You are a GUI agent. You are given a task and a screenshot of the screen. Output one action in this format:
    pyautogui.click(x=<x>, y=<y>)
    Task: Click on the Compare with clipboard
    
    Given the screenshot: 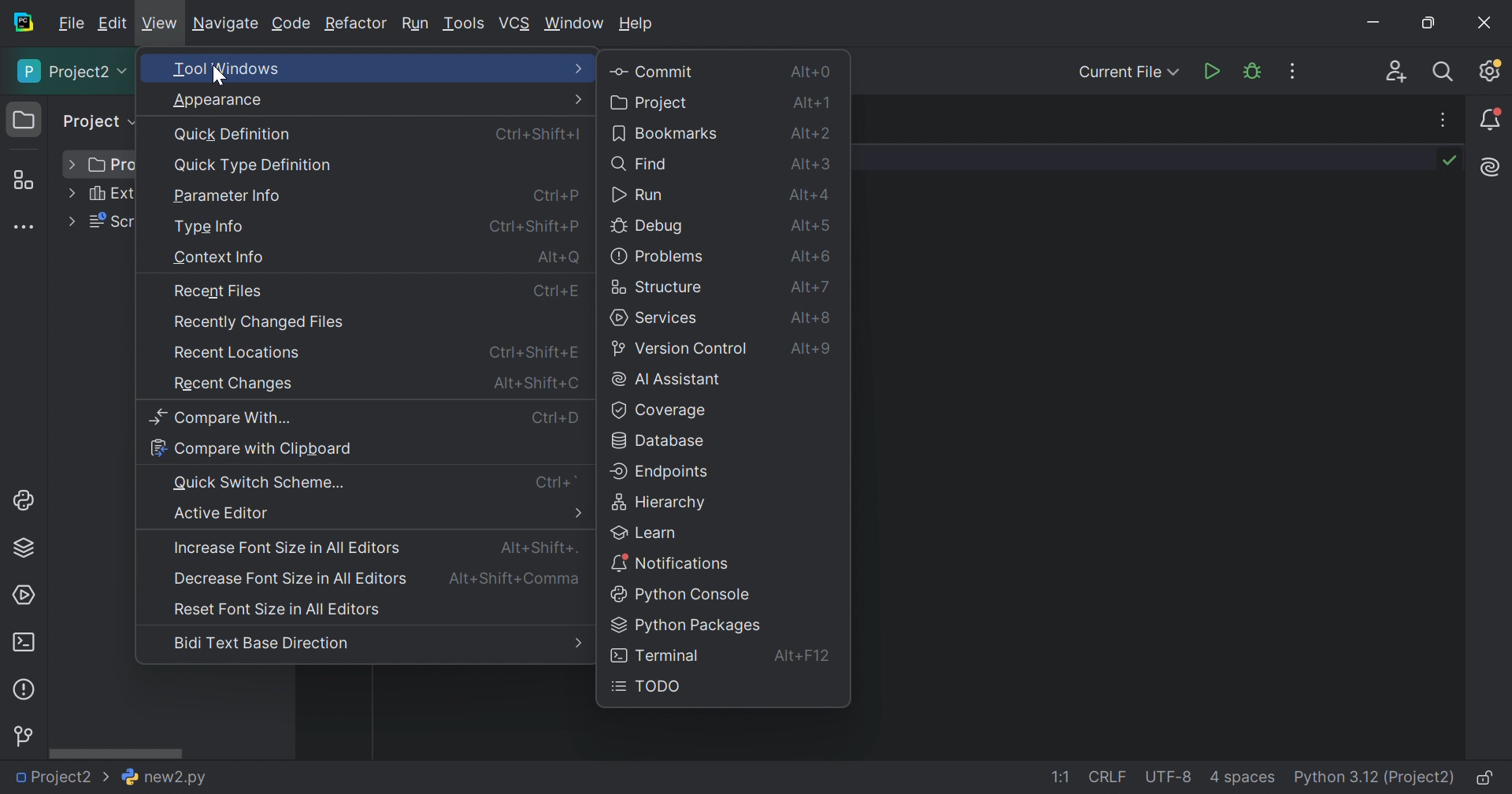 What is the action you would take?
    pyautogui.click(x=251, y=447)
    